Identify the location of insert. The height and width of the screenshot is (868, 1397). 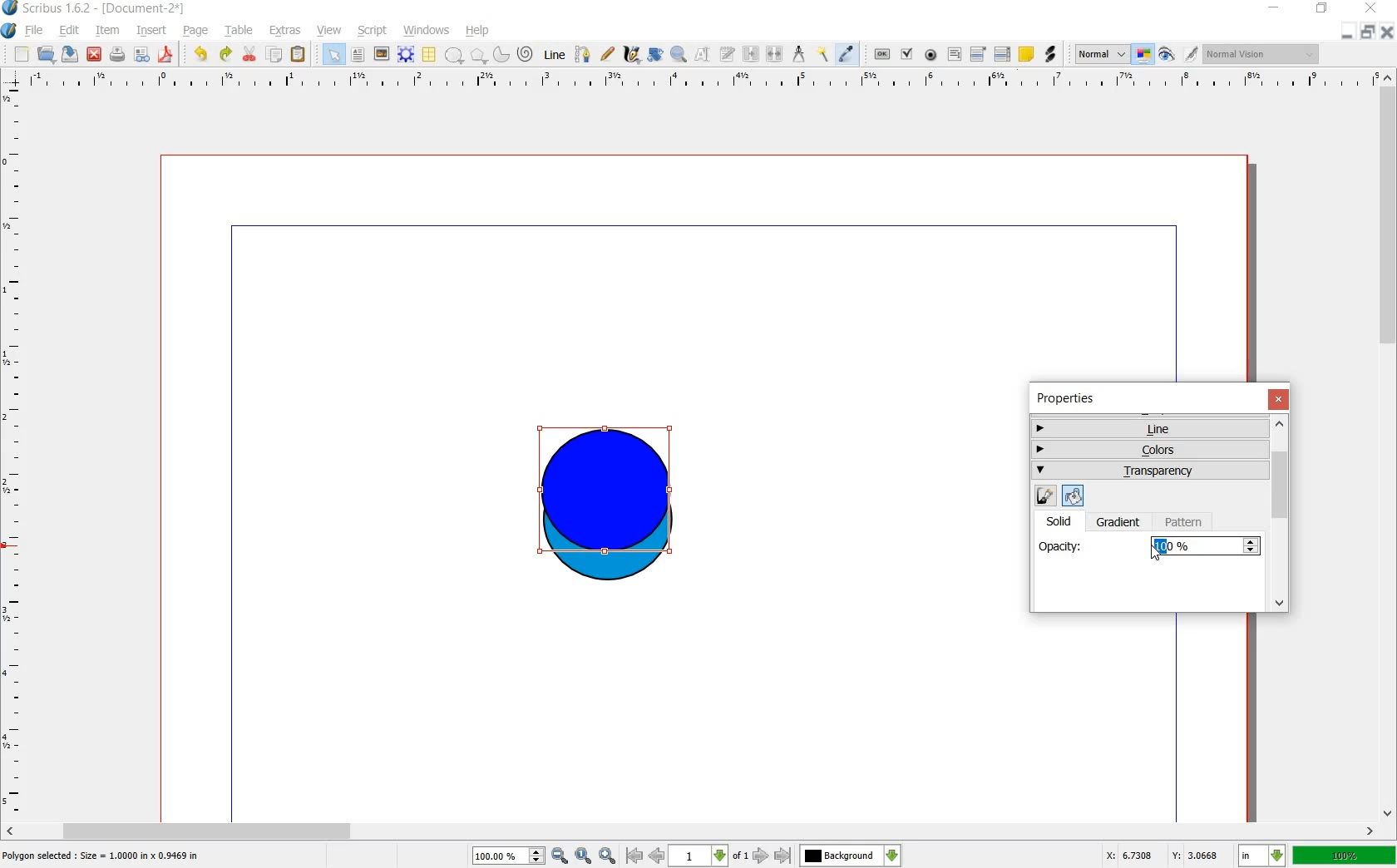
(152, 32).